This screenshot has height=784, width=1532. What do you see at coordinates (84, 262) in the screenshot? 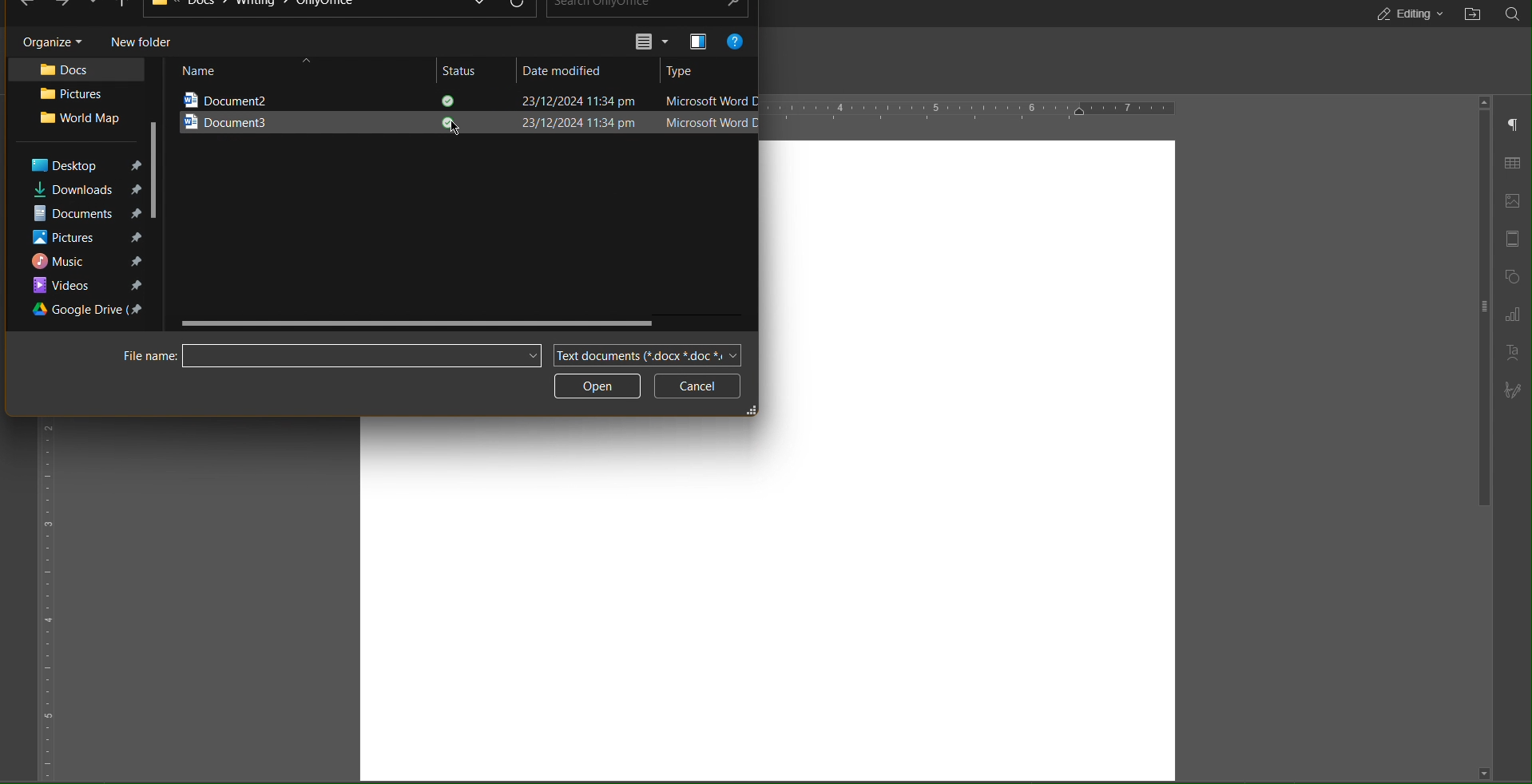
I see `Music` at bounding box center [84, 262].